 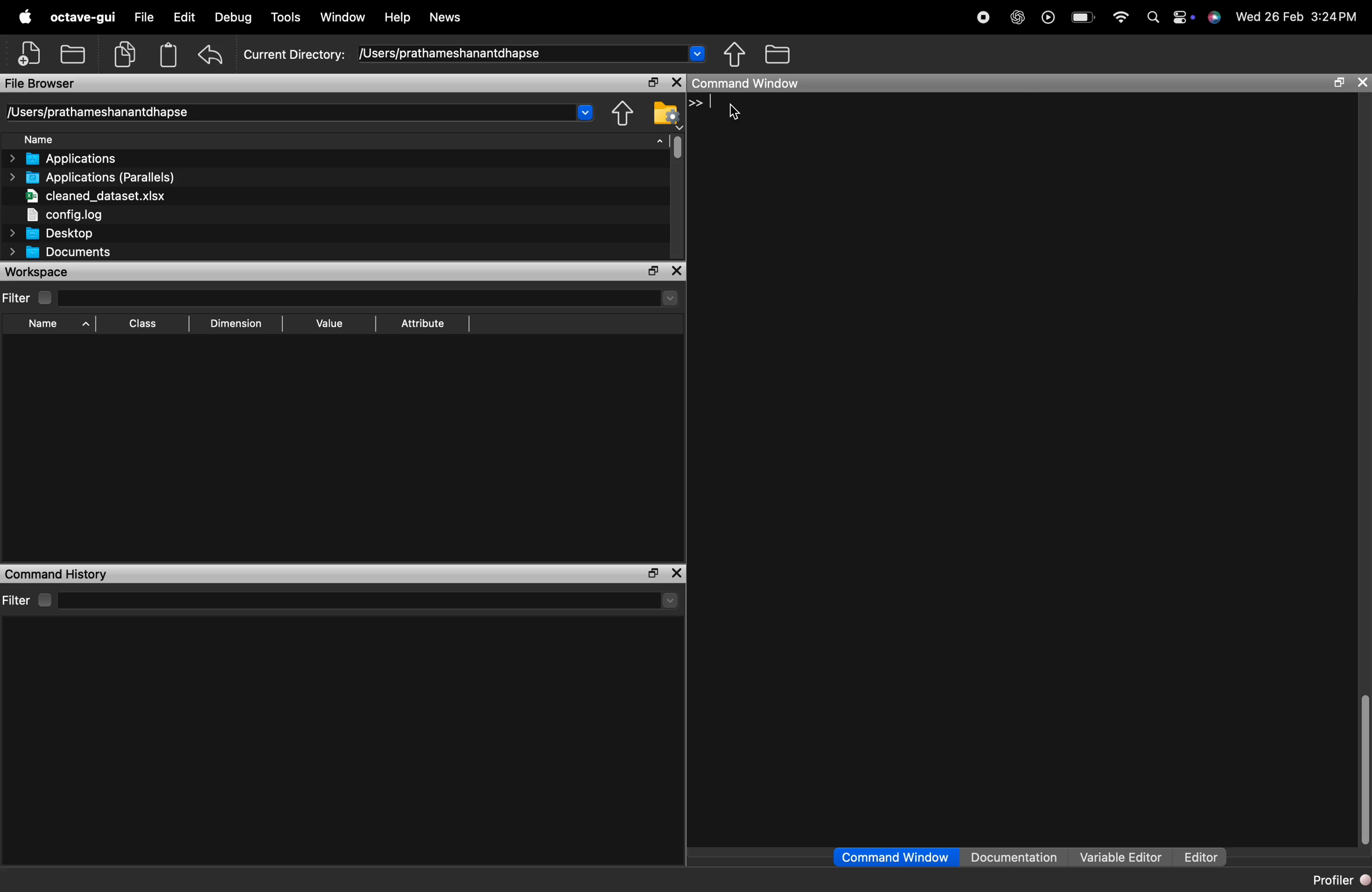 I want to click on Scroll bar, so click(x=677, y=146).